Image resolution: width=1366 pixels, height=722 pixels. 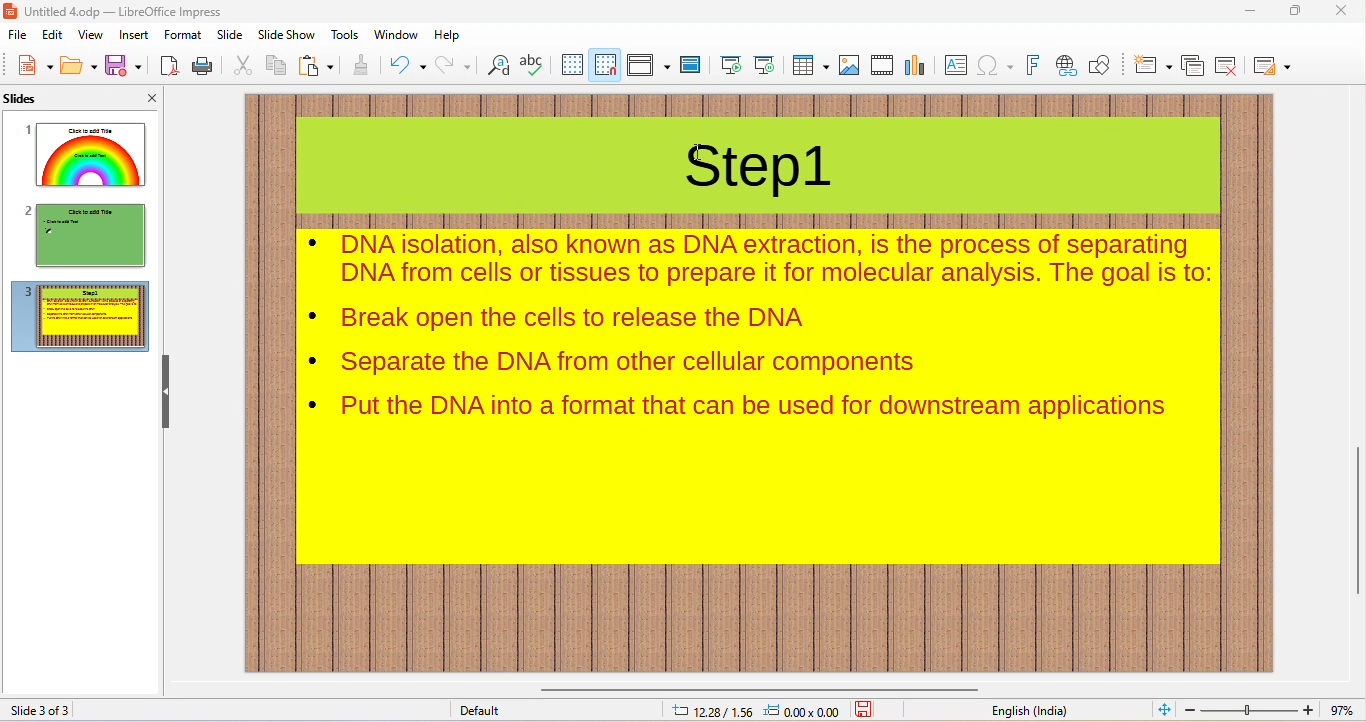 What do you see at coordinates (1298, 10) in the screenshot?
I see `maximize` at bounding box center [1298, 10].